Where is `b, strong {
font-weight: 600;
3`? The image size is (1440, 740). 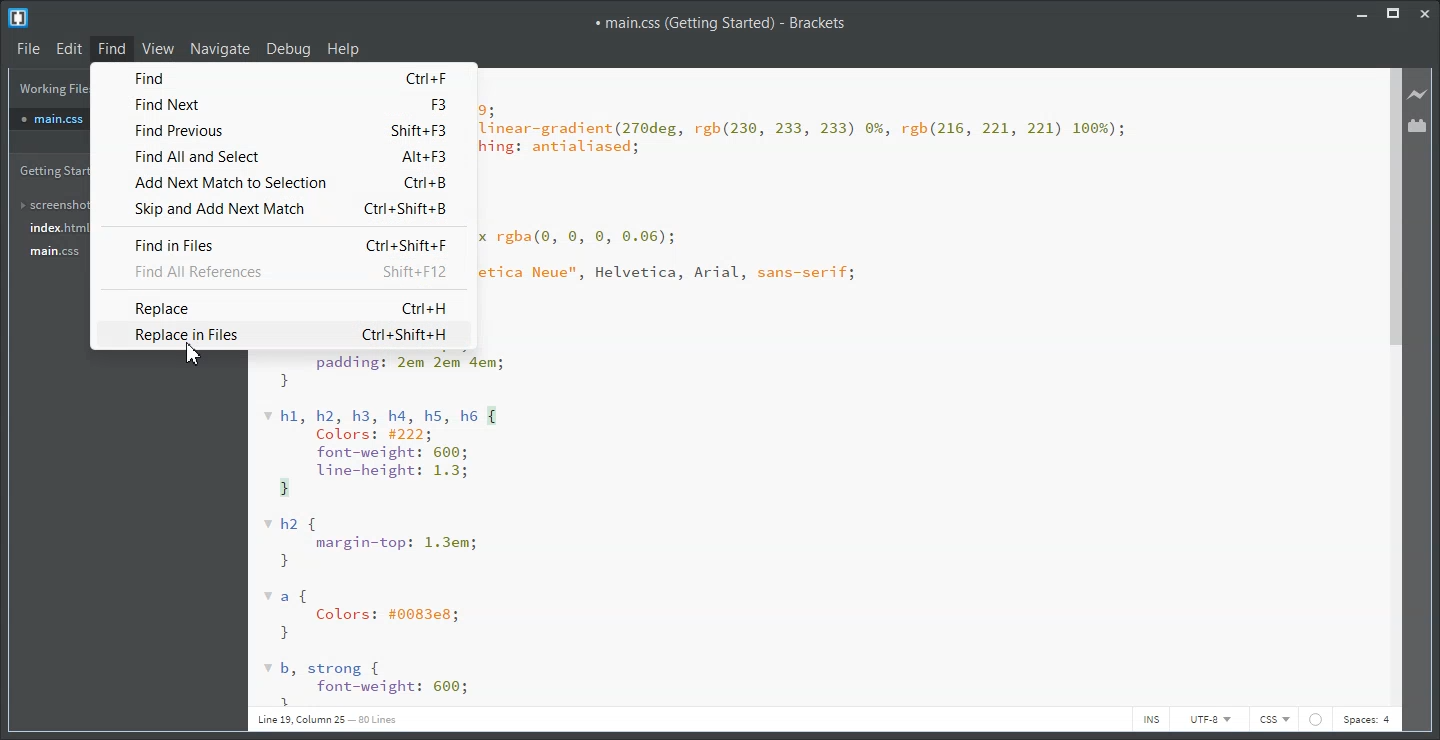
b, strong {
font-weight: 600;
3 is located at coordinates (368, 682).